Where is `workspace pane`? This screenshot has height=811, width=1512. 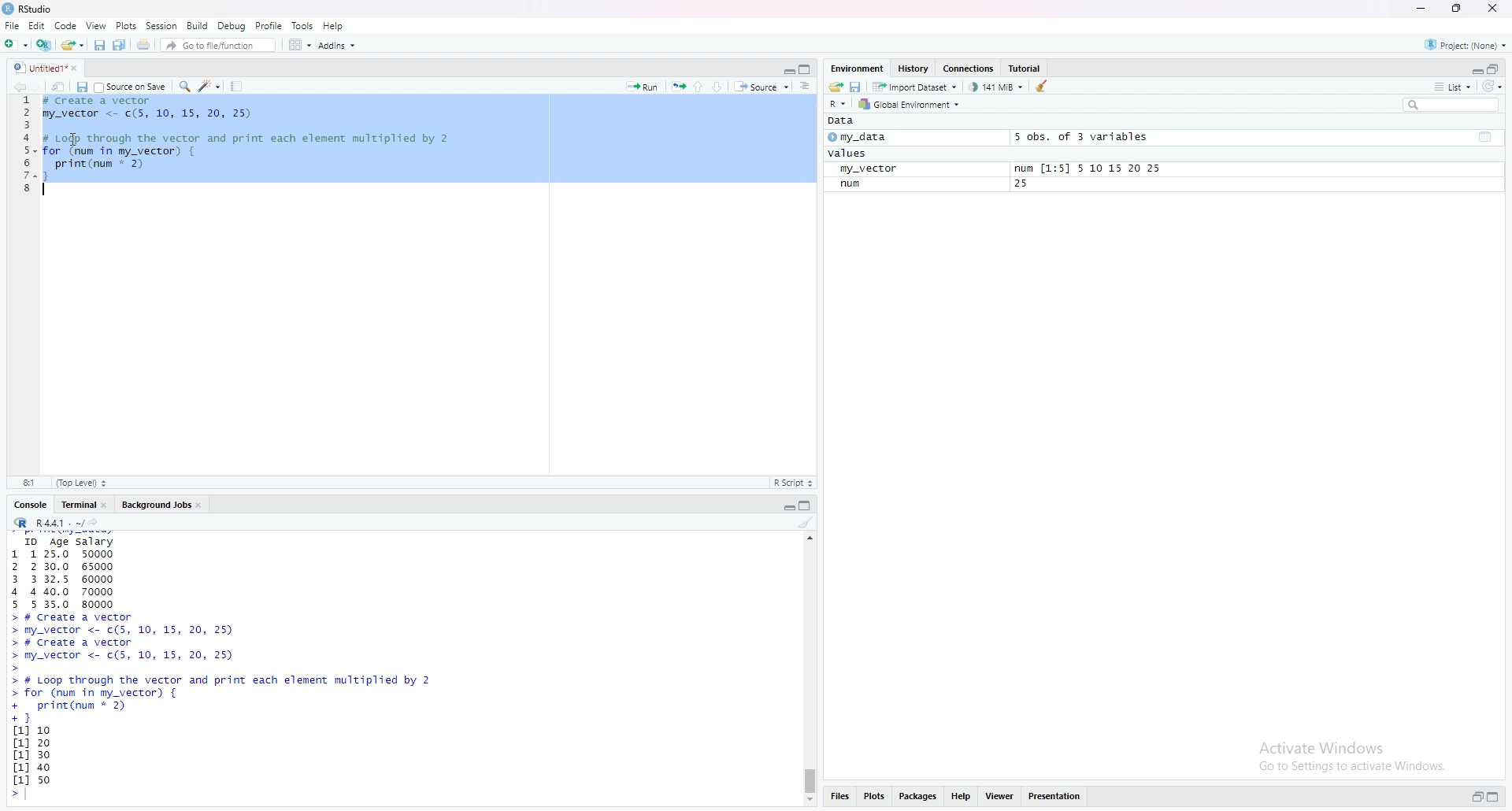 workspace pane is located at coordinates (296, 45).